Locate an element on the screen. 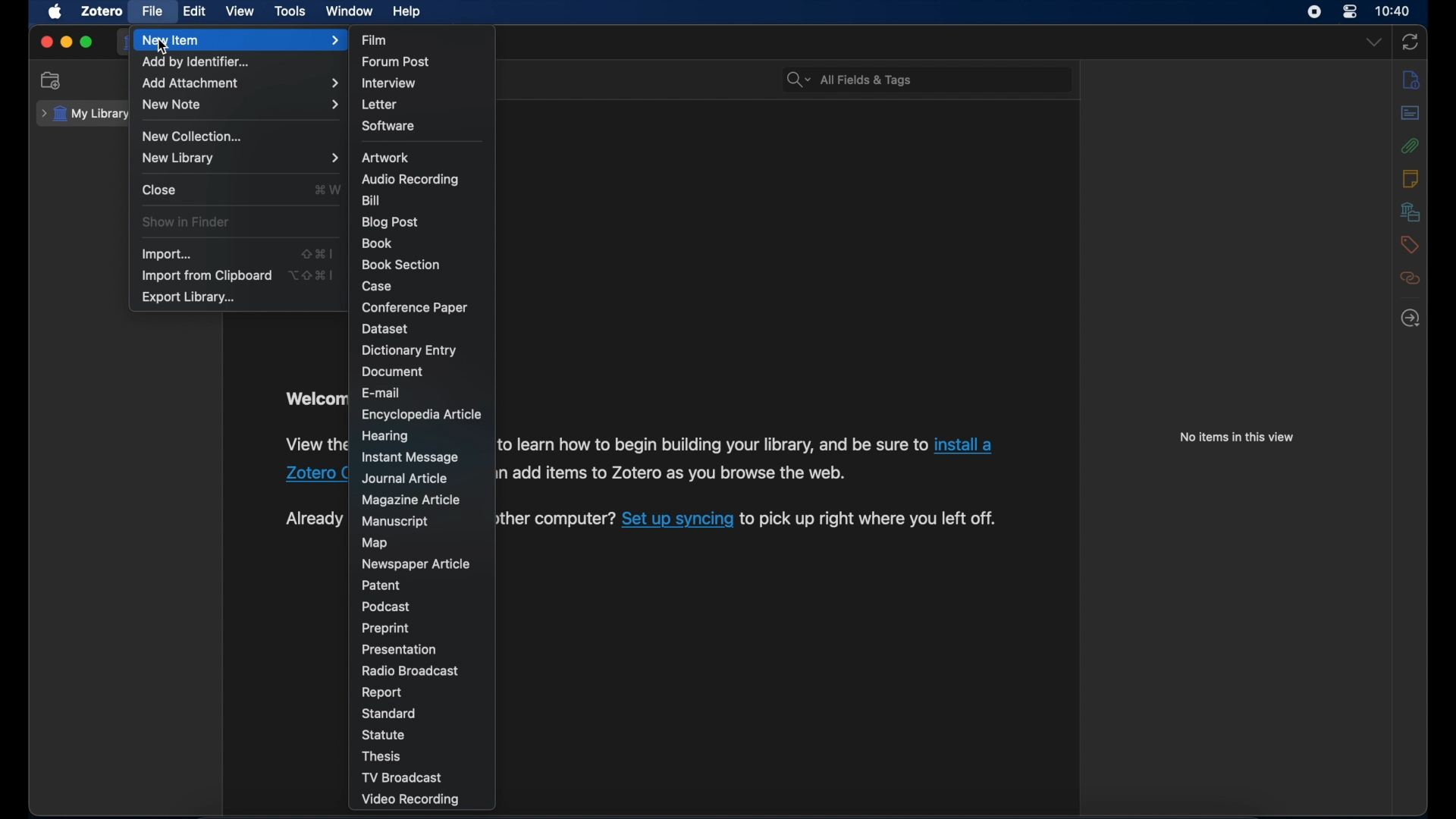 The image size is (1456, 819). dataset is located at coordinates (384, 328).